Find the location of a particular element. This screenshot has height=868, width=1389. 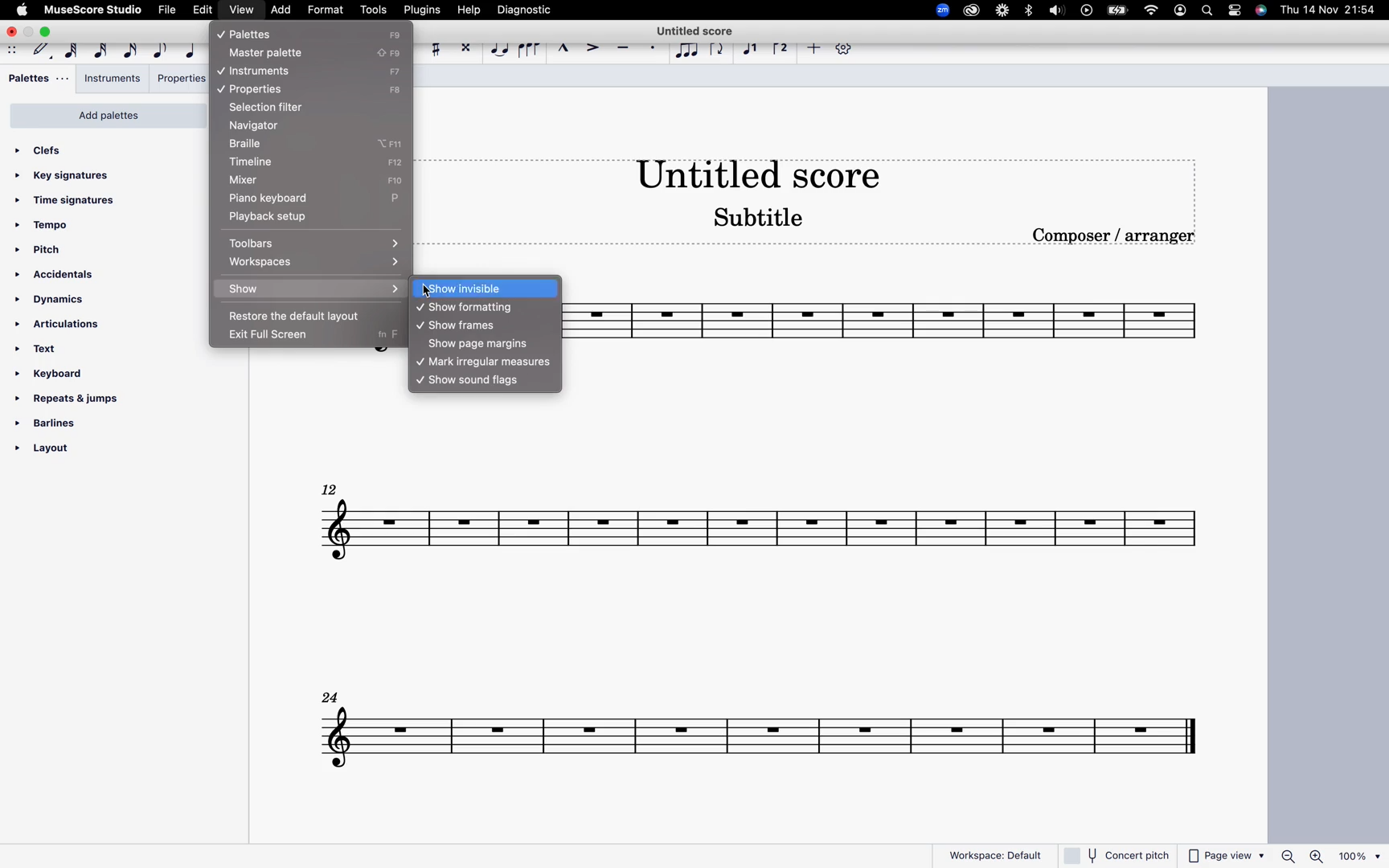

musescore studio is located at coordinates (92, 10).